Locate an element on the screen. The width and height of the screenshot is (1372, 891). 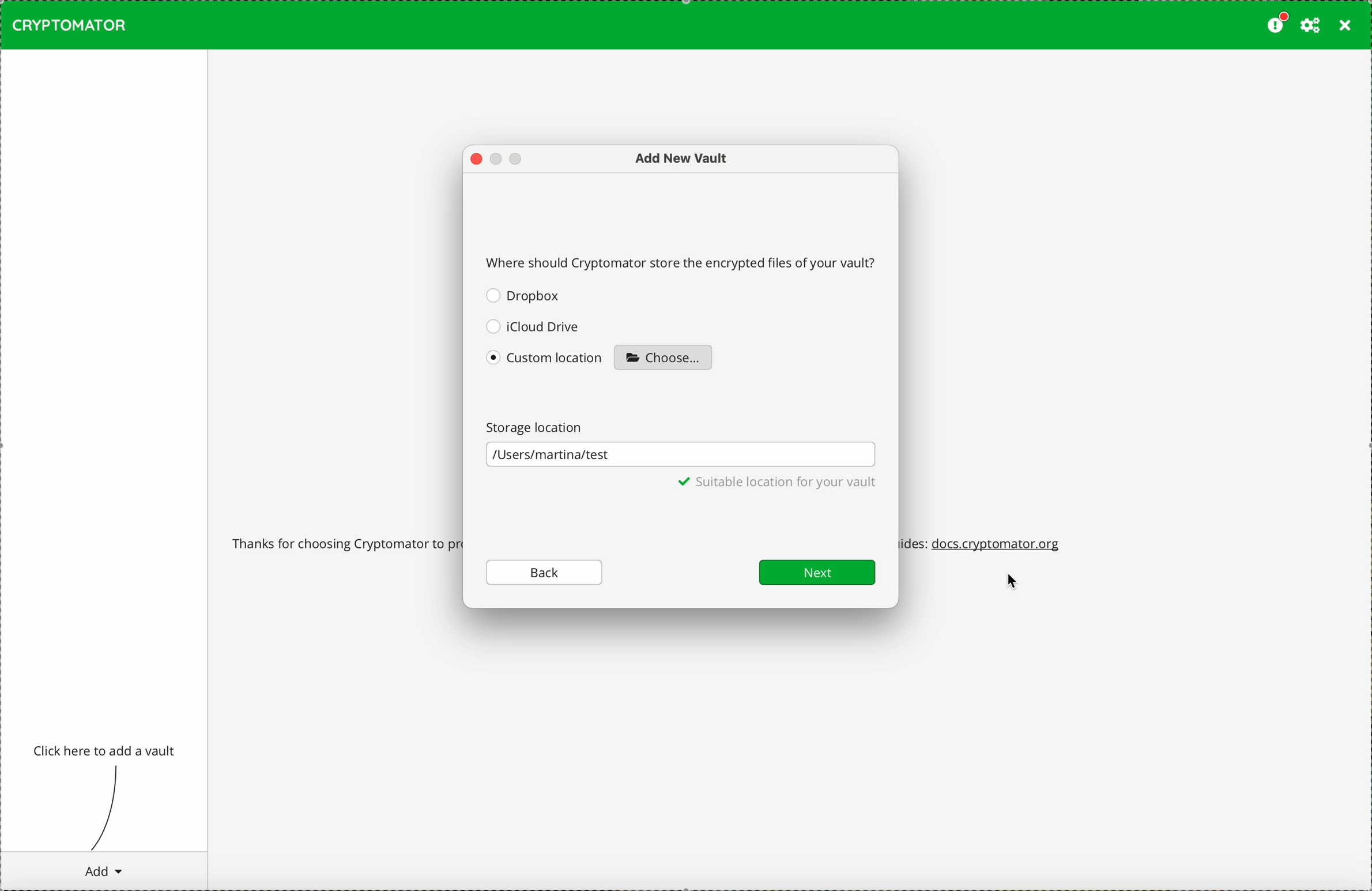
back button is located at coordinates (545, 572).